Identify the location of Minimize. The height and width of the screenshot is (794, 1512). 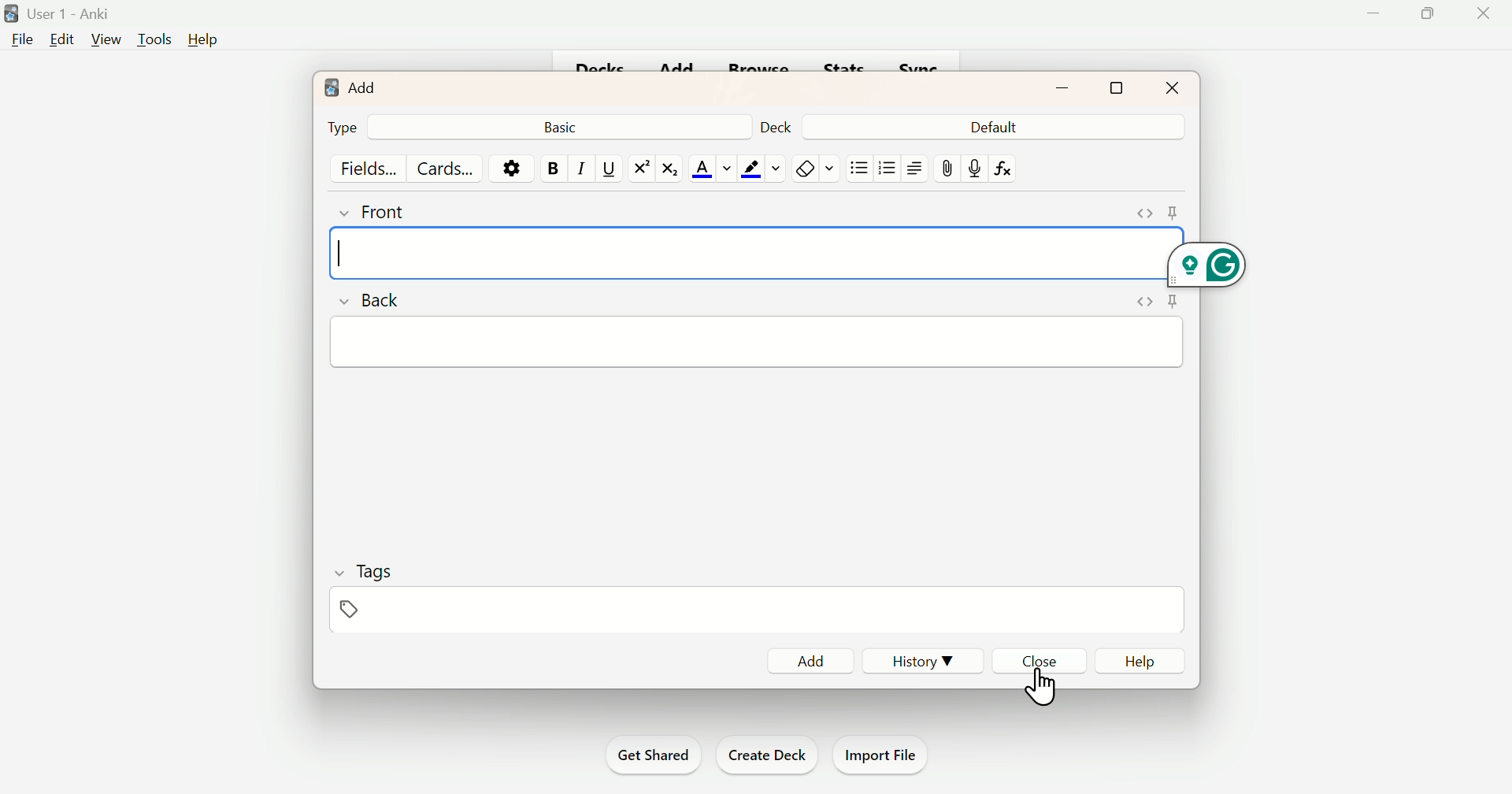
(1374, 17).